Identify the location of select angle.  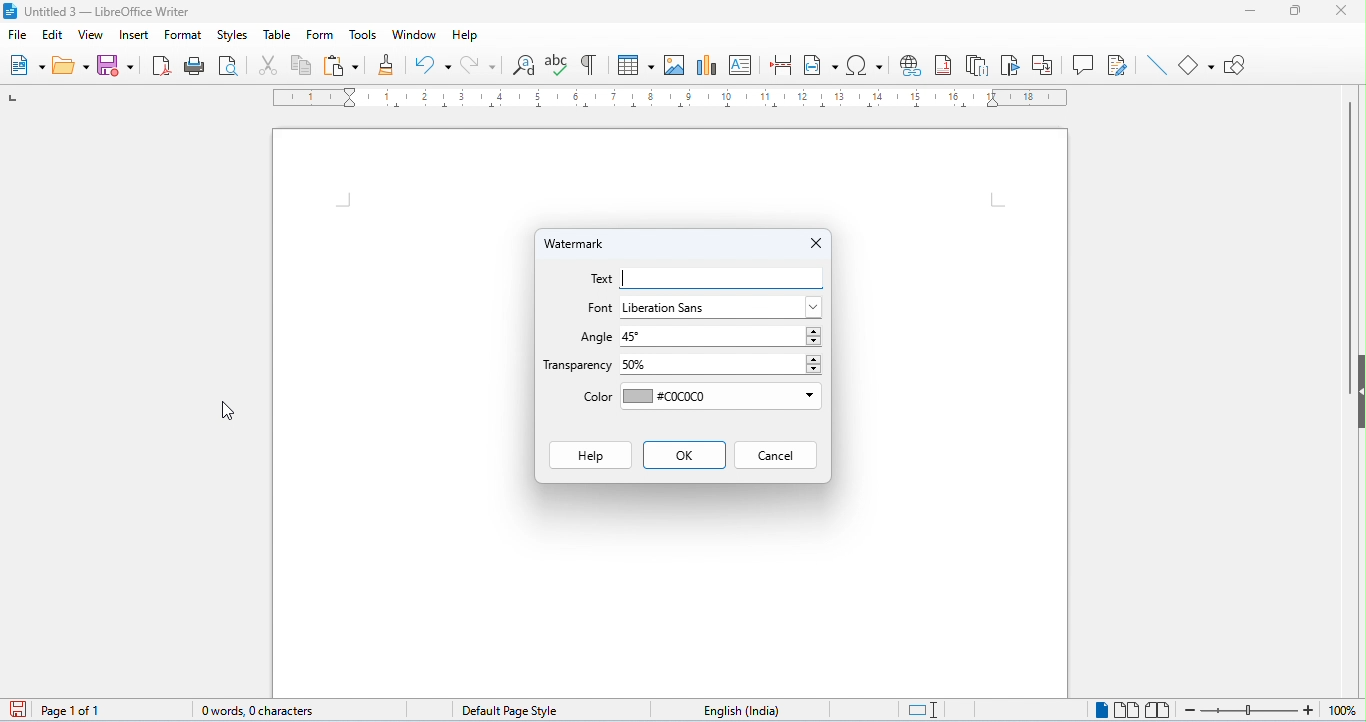
(720, 338).